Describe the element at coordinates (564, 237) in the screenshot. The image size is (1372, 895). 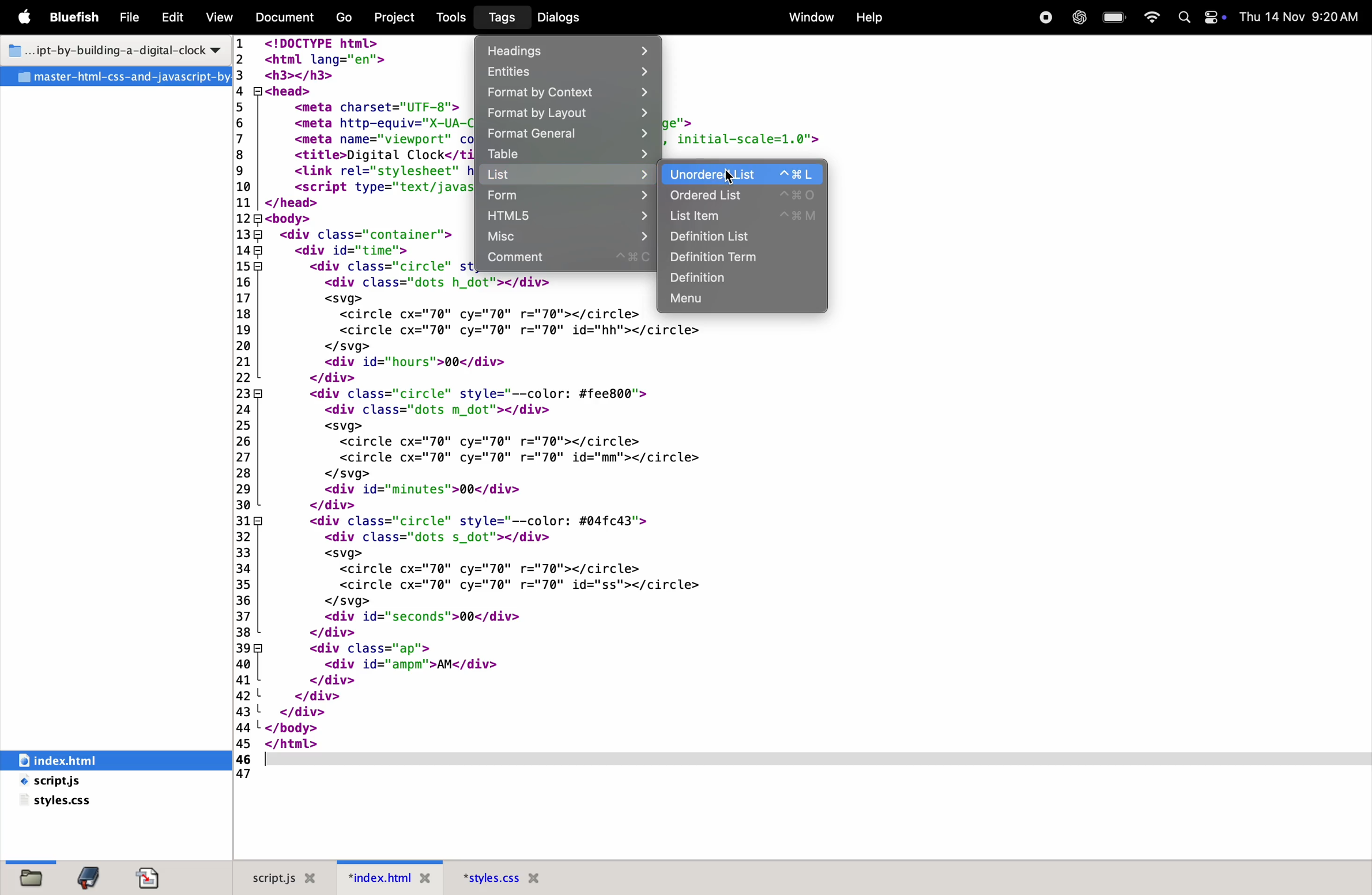
I see `Misc` at that location.